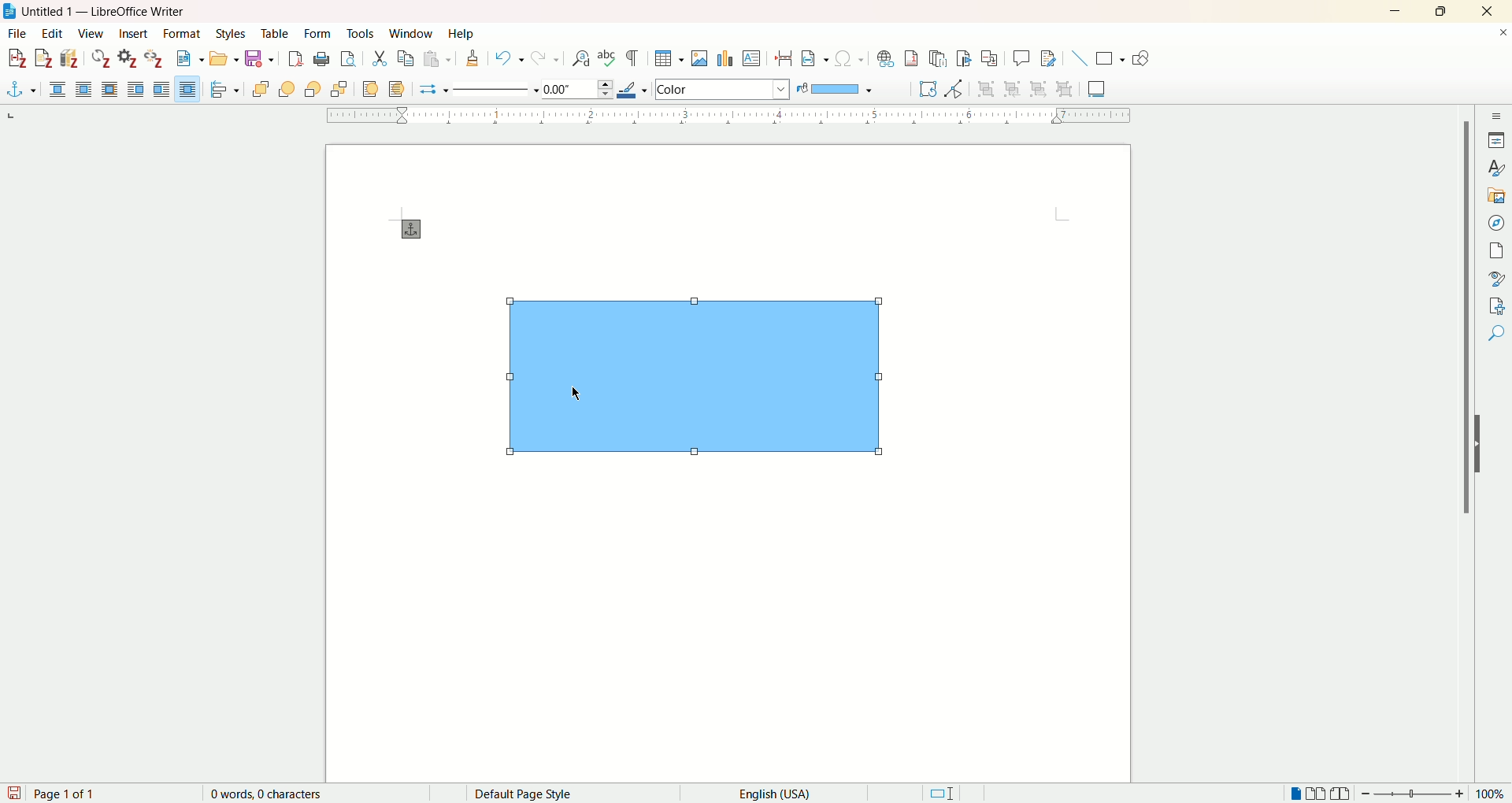  What do you see at coordinates (434, 88) in the screenshot?
I see `arrowheads for lines` at bounding box center [434, 88].